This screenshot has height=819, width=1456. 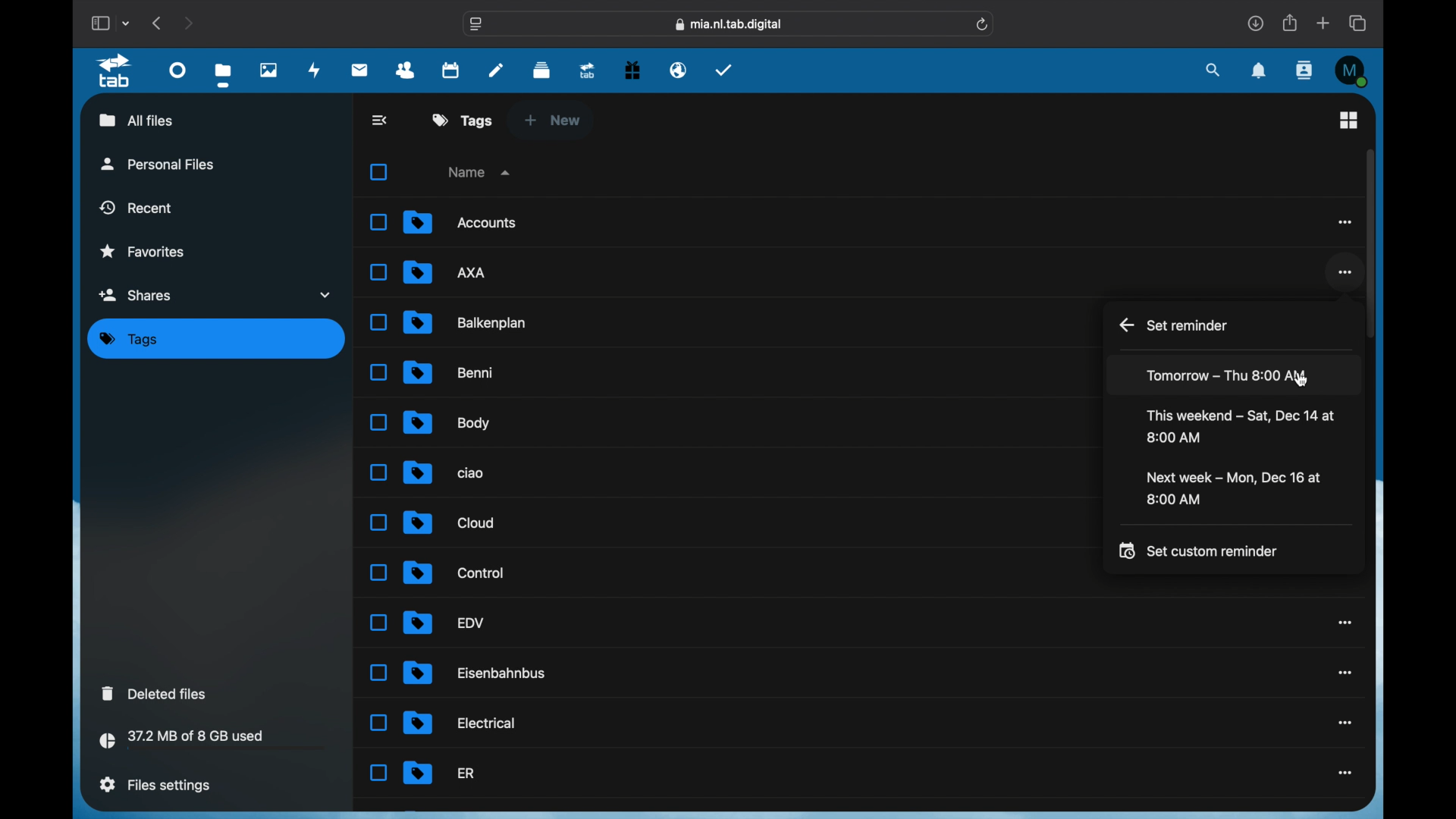 I want to click on Unselected Checkbox, so click(x=378, y=623).